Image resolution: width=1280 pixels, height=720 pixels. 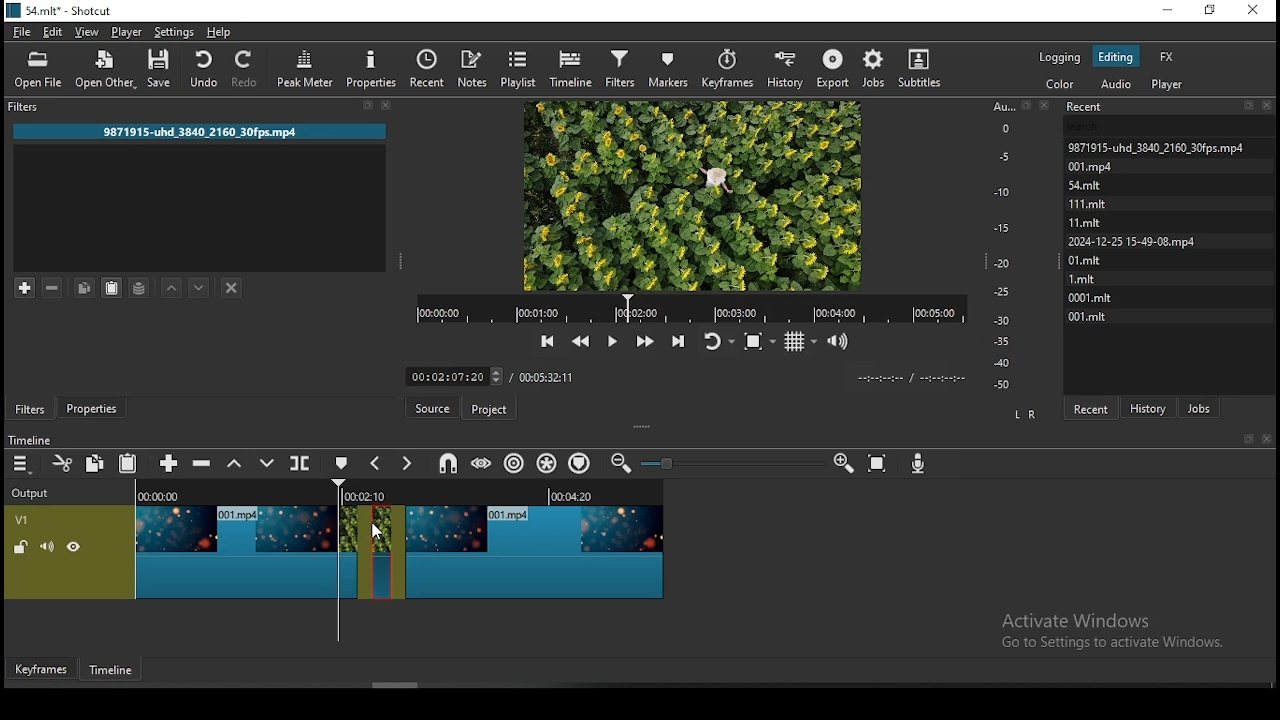 What do you see at coordinates (917, 69) in the screenshot?
I see `subtitles` at bounding box center [917, 69].